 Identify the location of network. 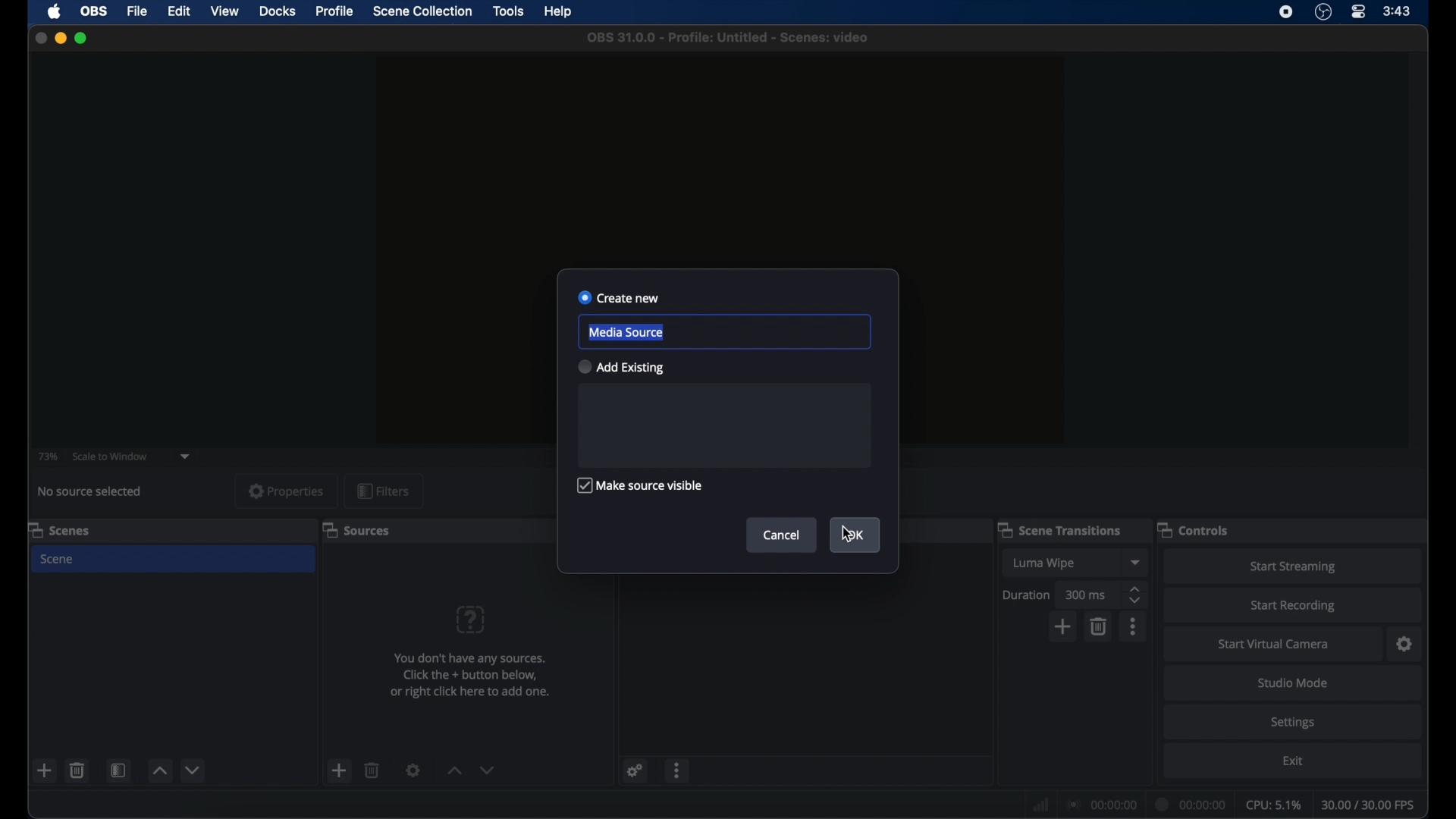
(1041, 805).